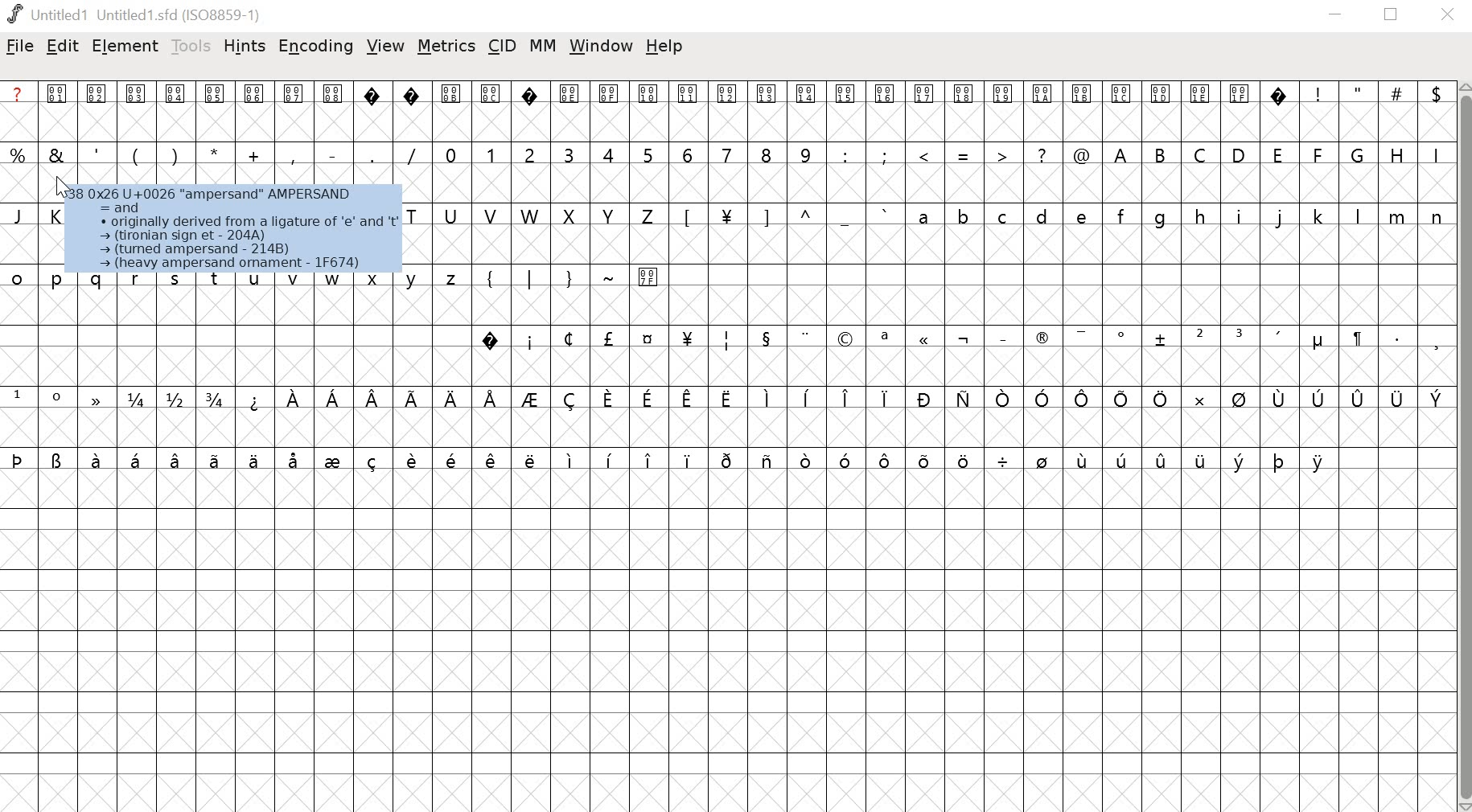  I want to click on ., so click(1396, 337).